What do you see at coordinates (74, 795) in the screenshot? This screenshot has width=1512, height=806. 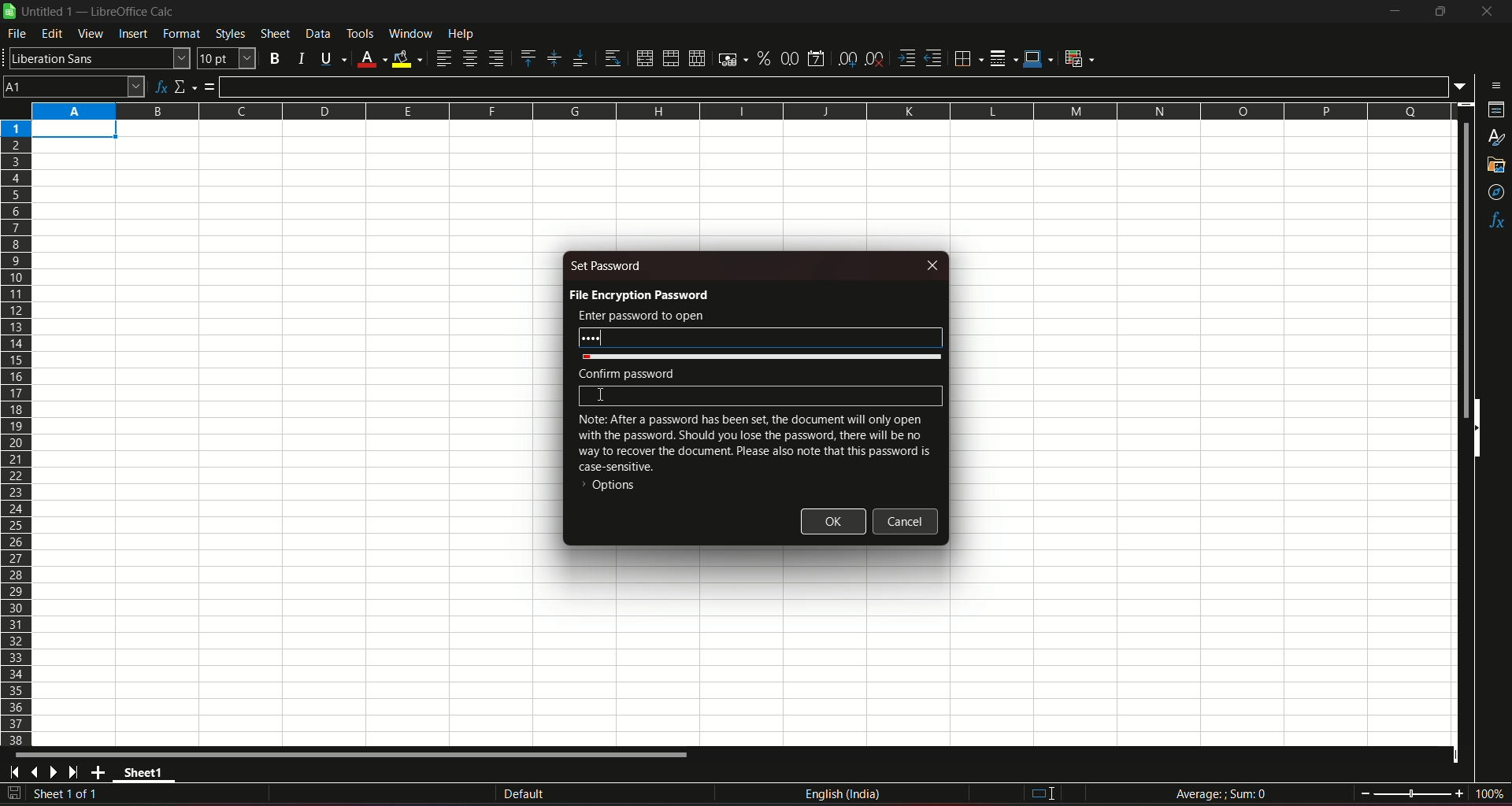 I see `sheet number` at bounding box center [74, 795].